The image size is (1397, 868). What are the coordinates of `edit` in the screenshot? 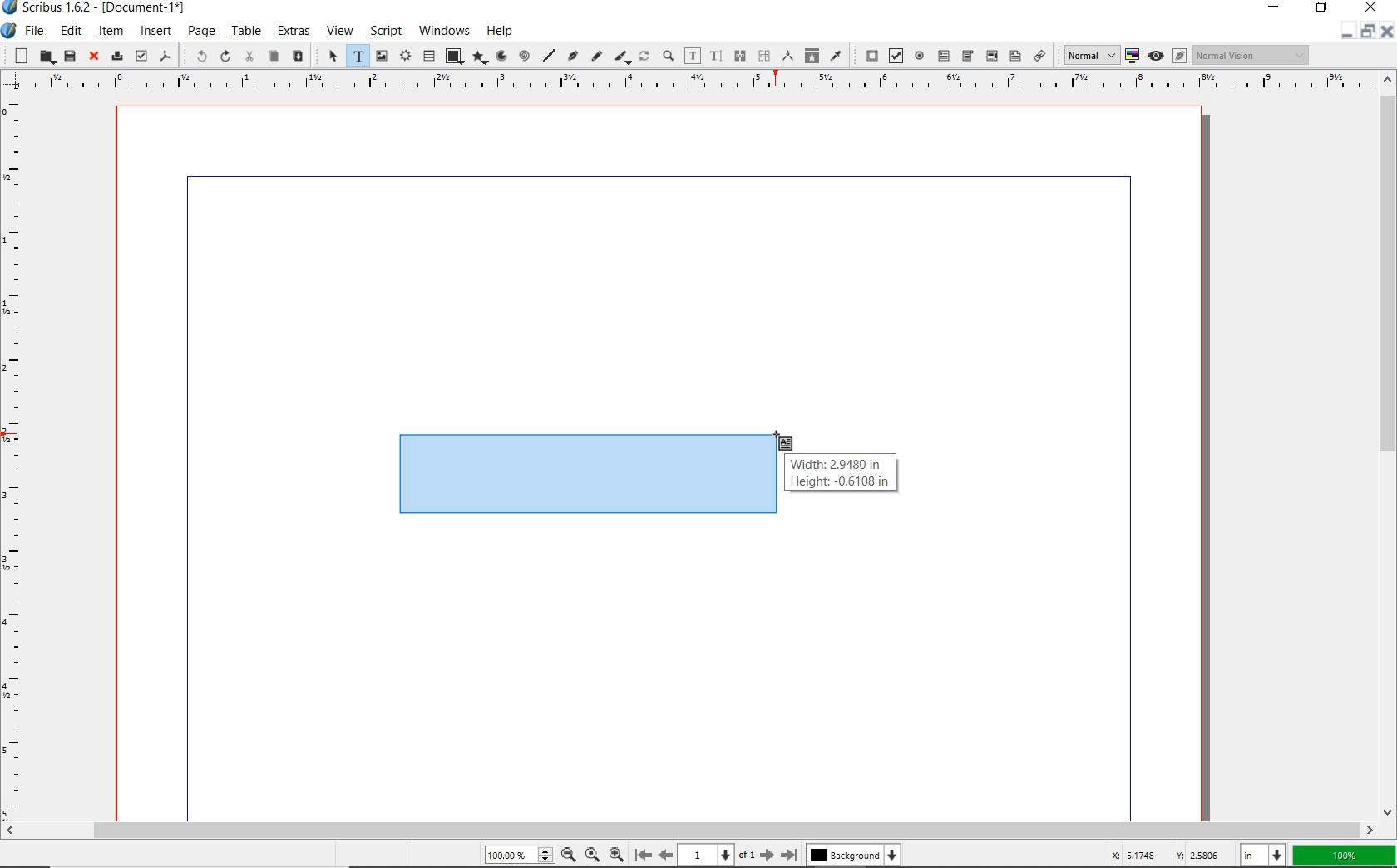 It's located at (71, 31).